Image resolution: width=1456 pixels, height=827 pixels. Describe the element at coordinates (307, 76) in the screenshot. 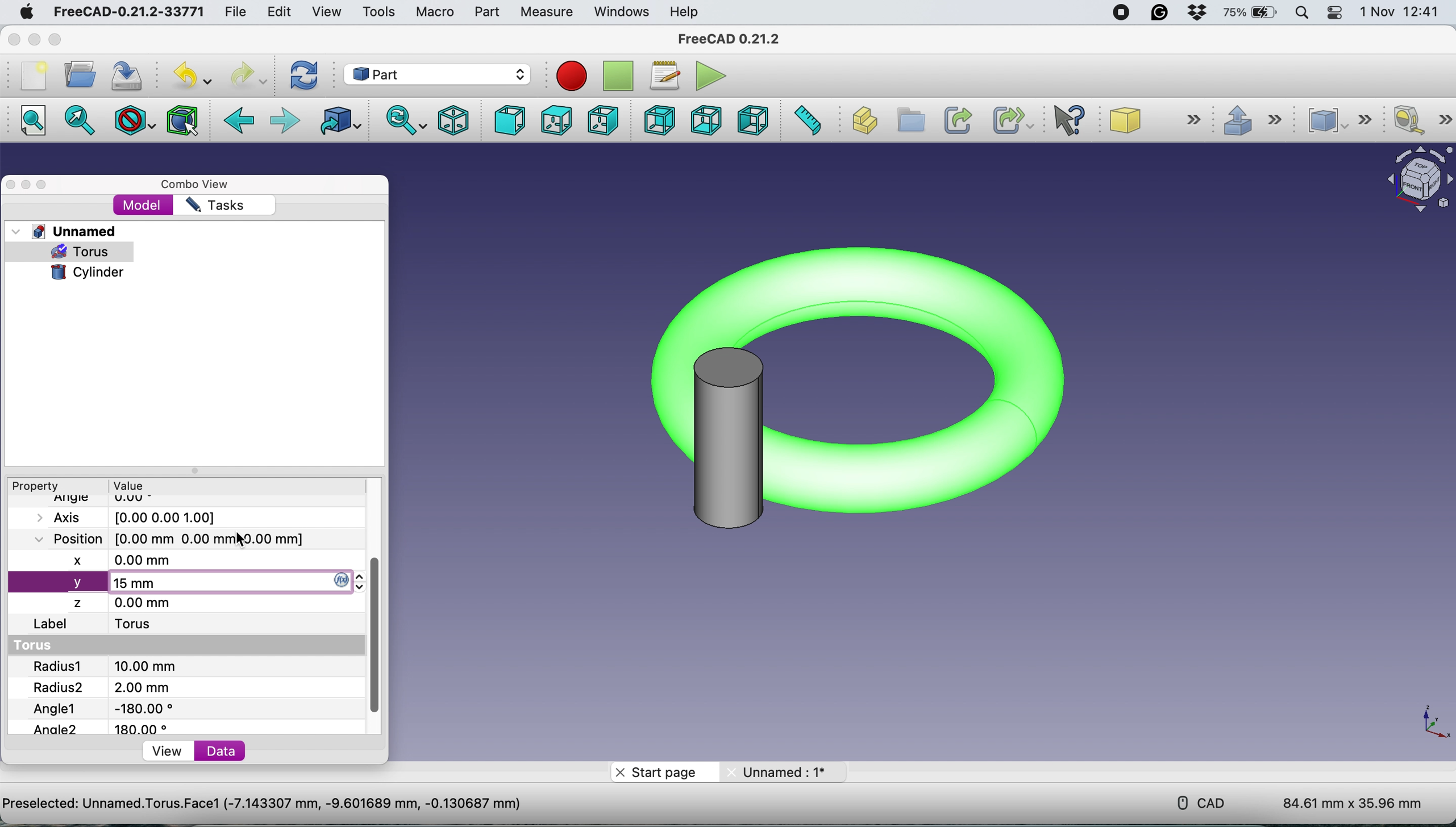

I see `refresh` at that location.